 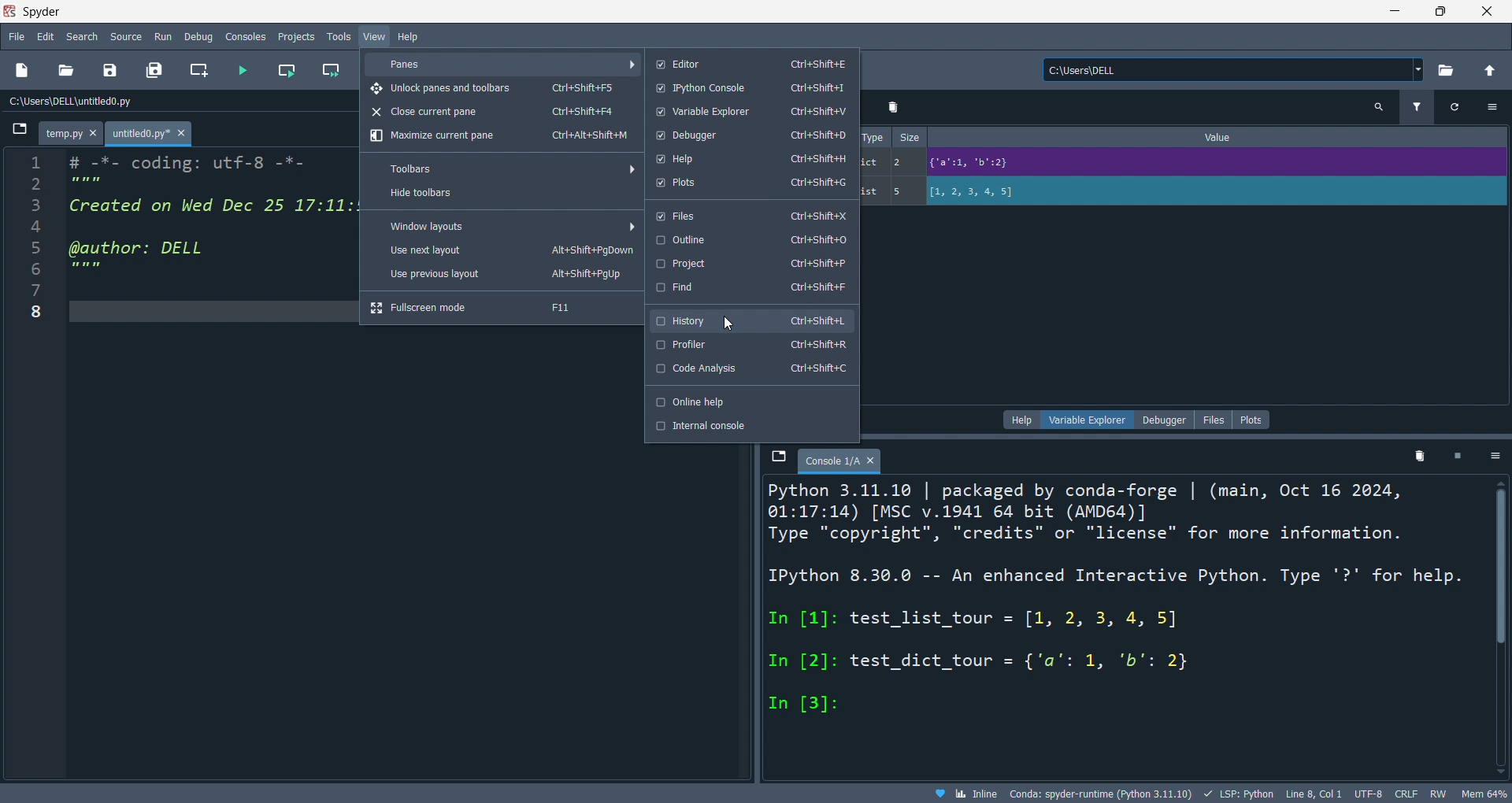 What do you see at coordinates (1441, 10) in the screenshot?
I see `maximize` at bounding box center [1441, 10].